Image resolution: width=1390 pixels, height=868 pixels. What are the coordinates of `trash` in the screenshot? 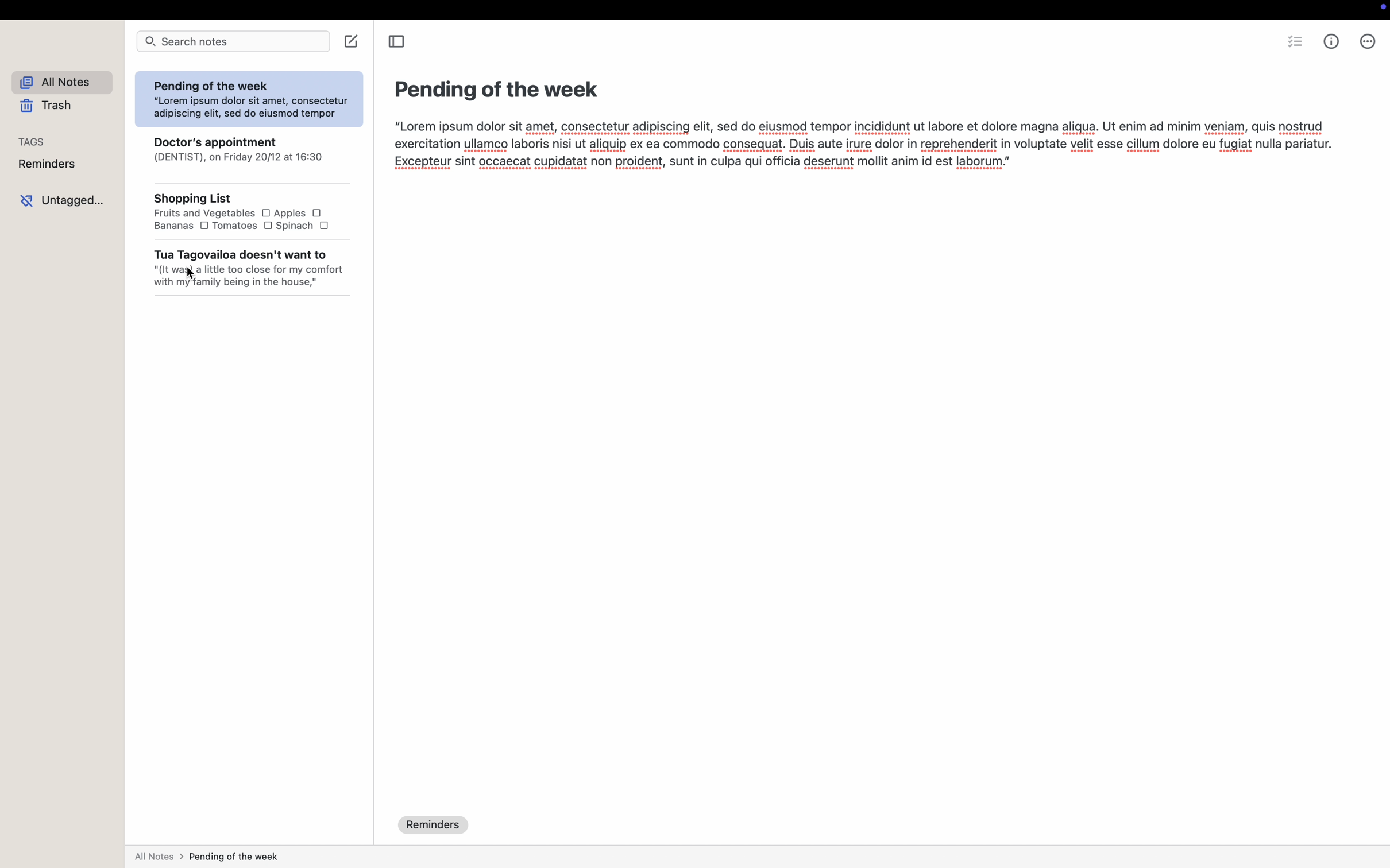 It's located at (46, 106).